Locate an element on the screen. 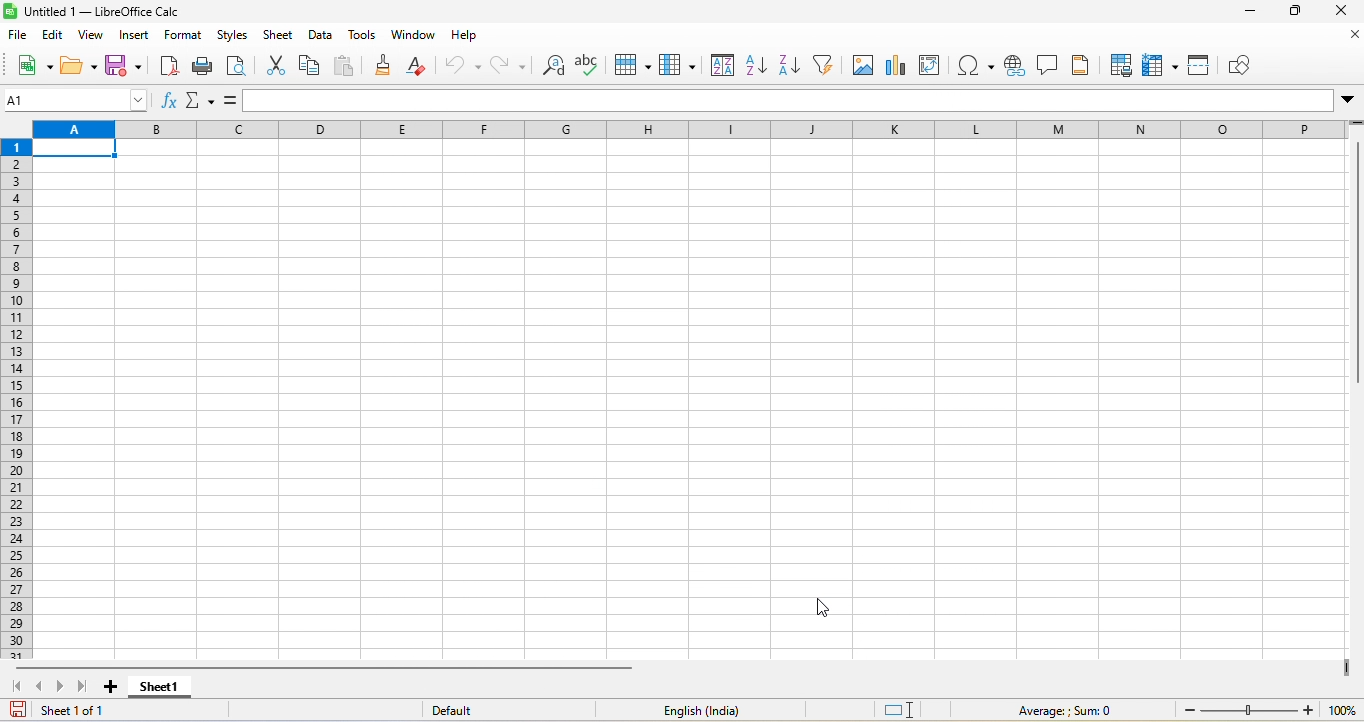 The image size is (1364, 722). show draw function is located at coordinates (1247, 64).